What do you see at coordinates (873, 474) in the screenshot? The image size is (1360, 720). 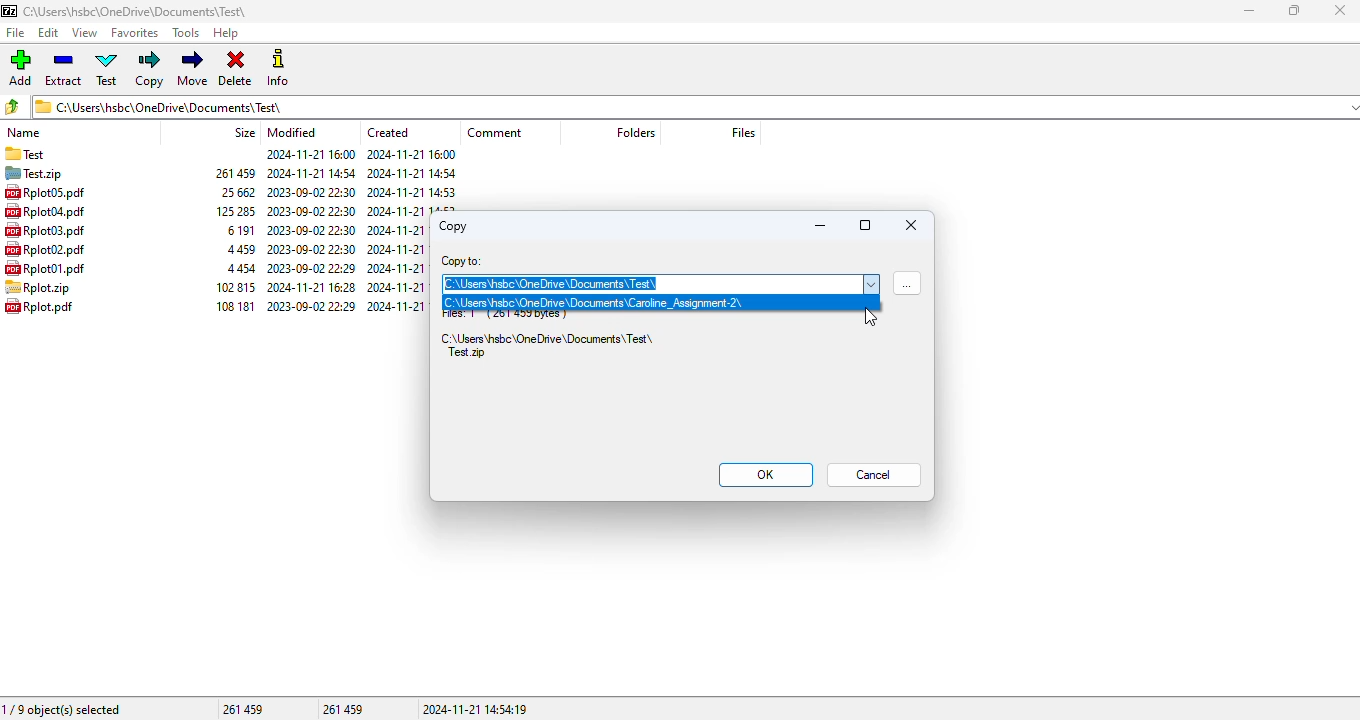 I see `cancel` at bounding box center [873, 474].